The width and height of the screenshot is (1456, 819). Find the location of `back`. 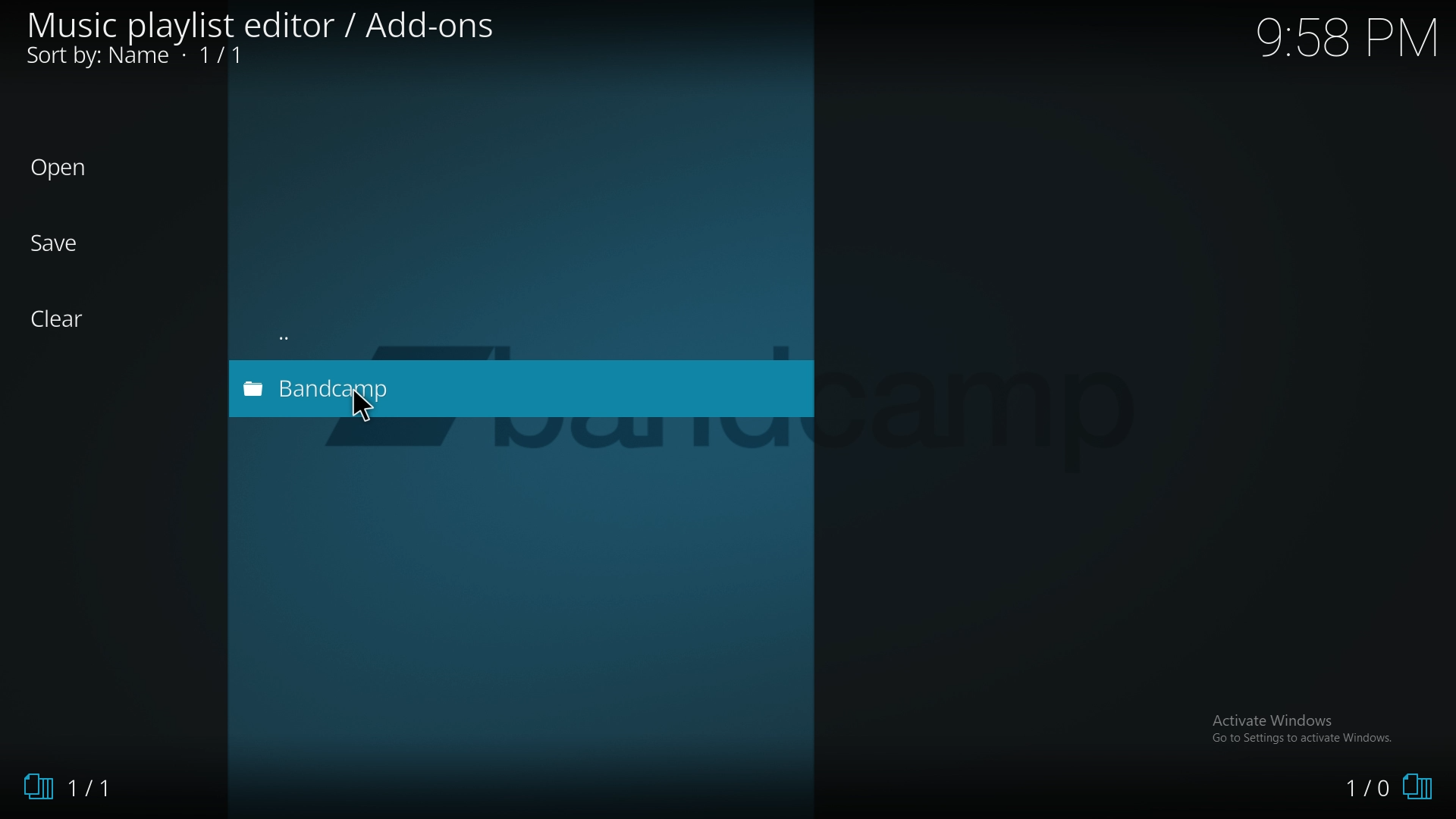

back is located at coordinates (398, 337).